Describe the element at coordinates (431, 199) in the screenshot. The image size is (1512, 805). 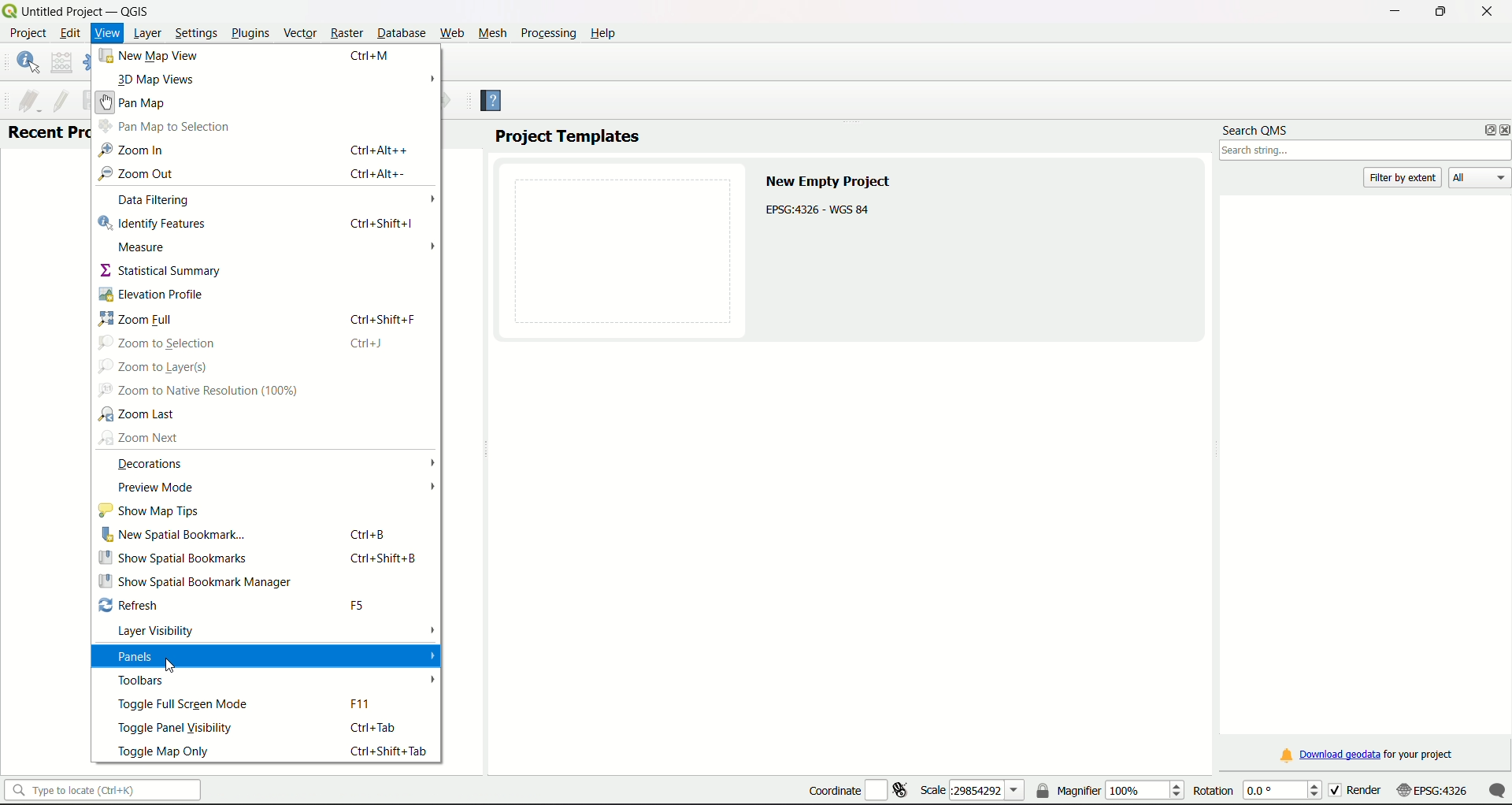
I see `Arrow` at that location.